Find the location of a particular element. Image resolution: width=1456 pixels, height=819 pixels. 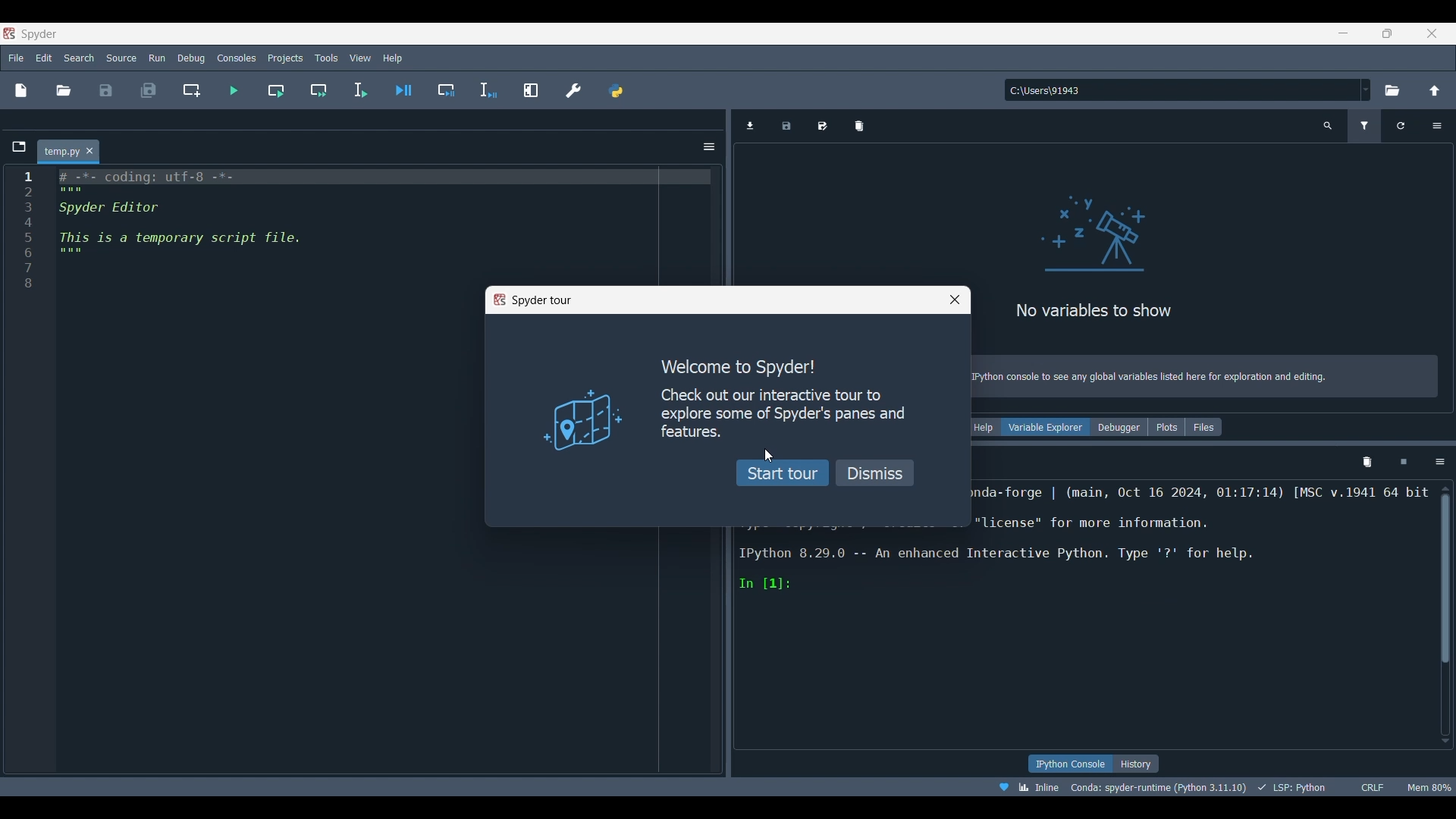

delete is located at coordinates (858, 127).